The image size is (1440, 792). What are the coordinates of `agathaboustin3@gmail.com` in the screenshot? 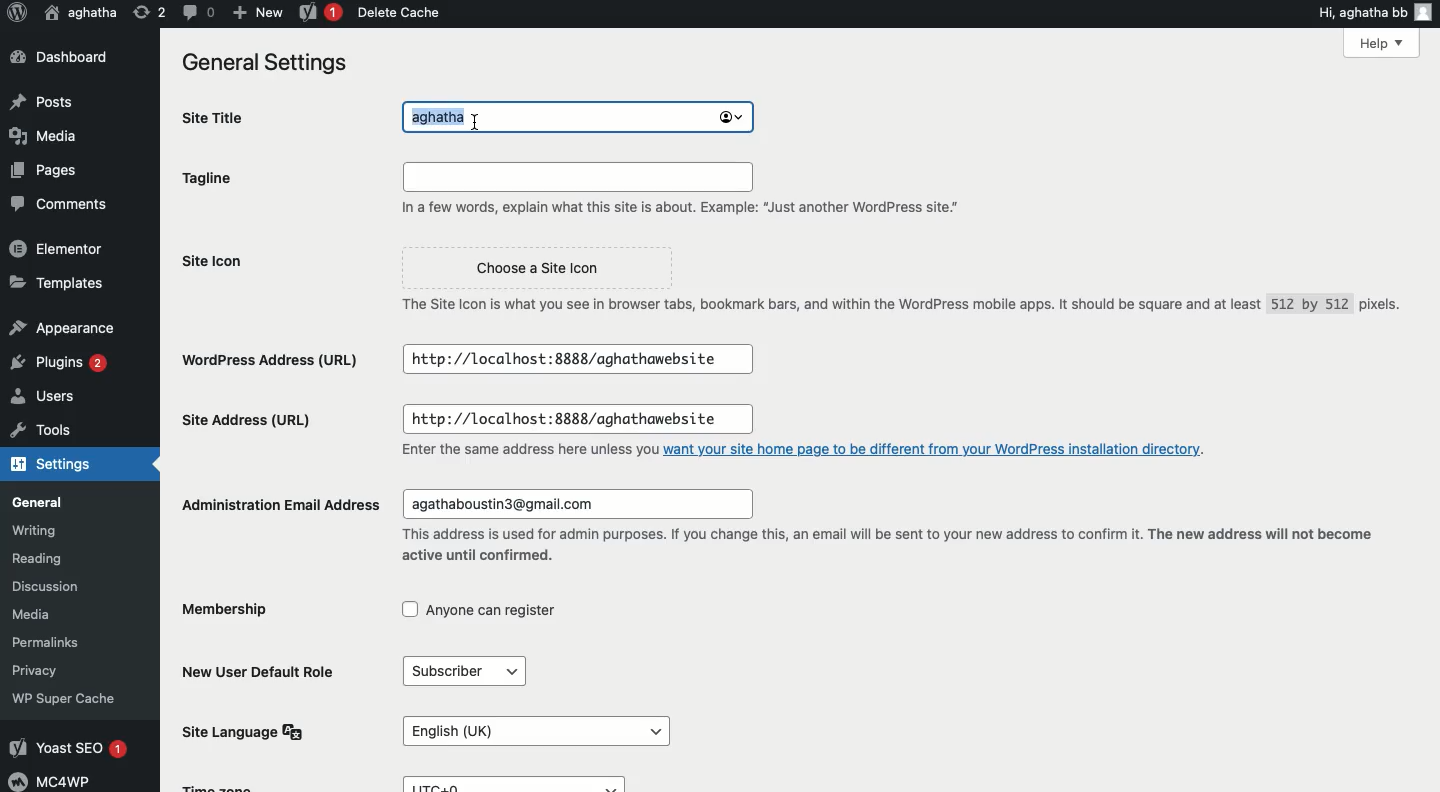 It's located at (578, 505).